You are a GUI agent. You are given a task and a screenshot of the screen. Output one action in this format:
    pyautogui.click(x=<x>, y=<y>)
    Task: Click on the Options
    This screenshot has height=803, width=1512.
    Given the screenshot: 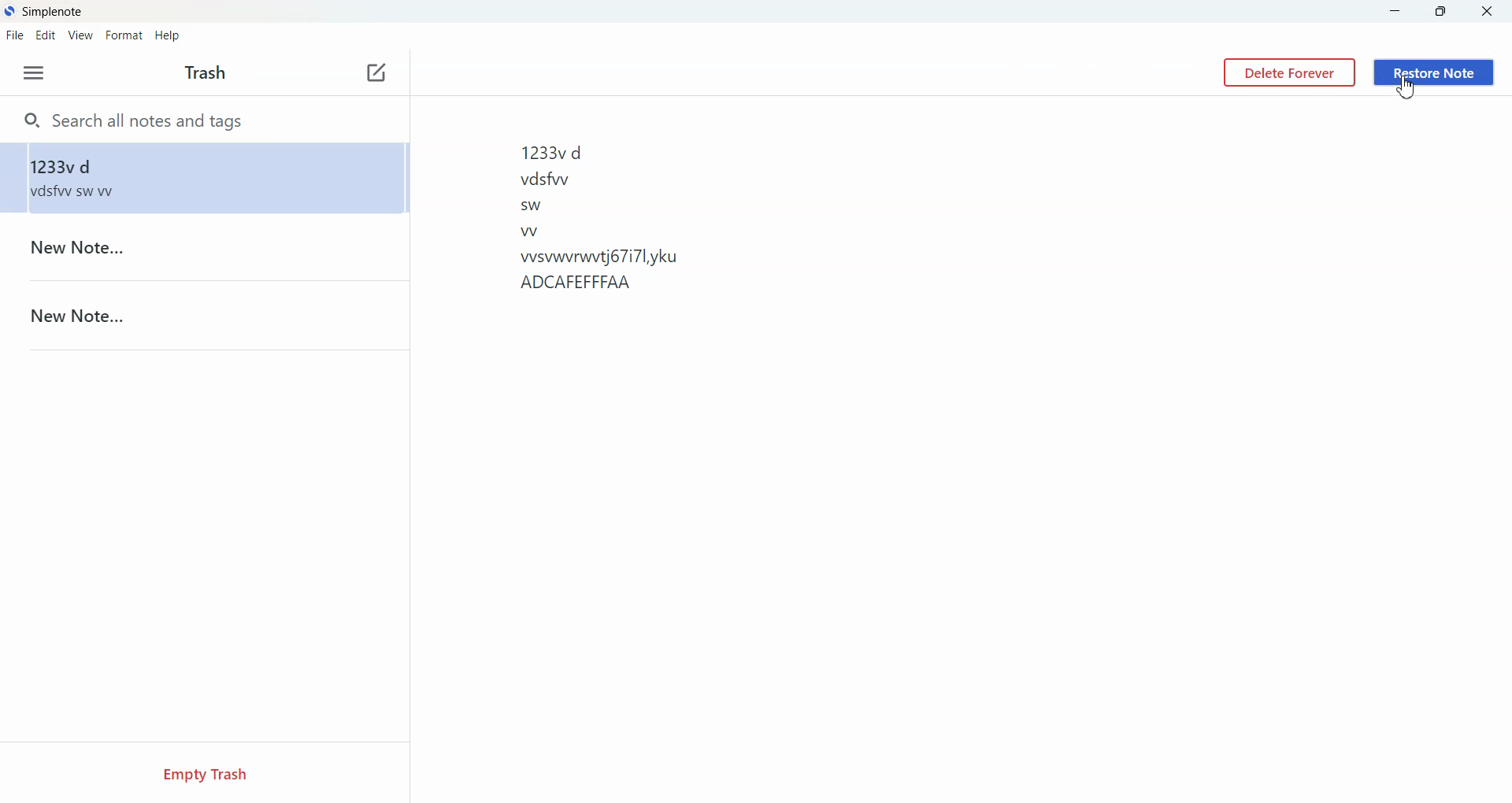 What is the action you would take?
    pyautogui.click(x=33, y=72)
    